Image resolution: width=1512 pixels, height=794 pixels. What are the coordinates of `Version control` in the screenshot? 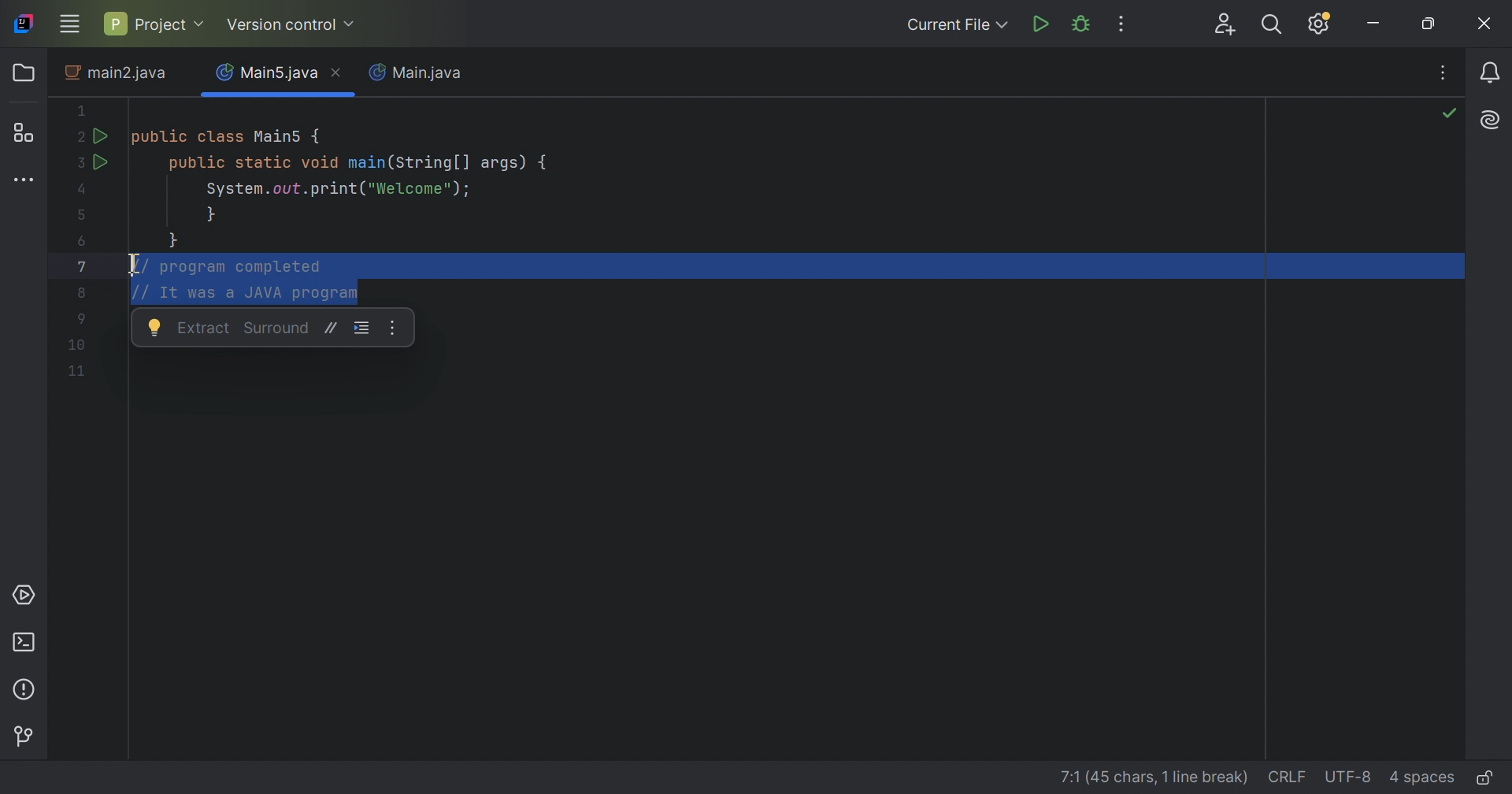 It's located at (293, 25).